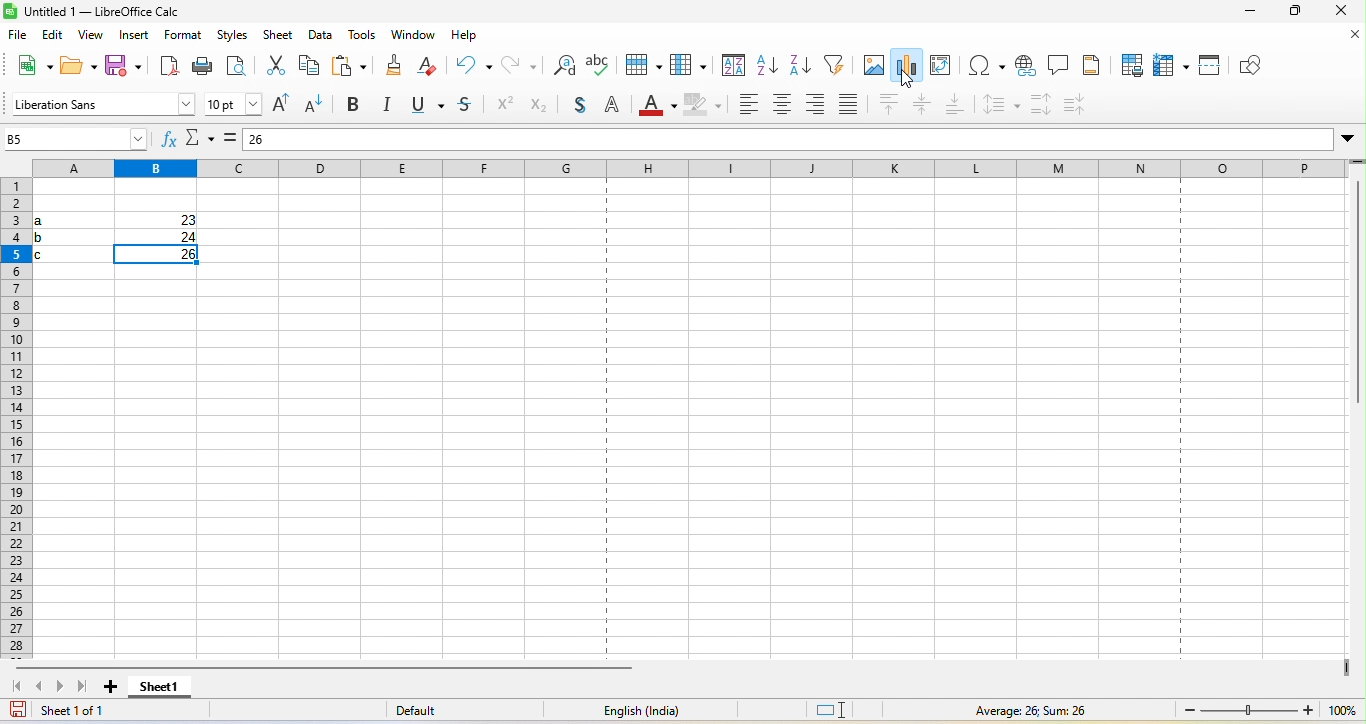  What do you see at coordinates (908, 67) in the screenshot?
I see `chart` at bounding box center [908, 67].